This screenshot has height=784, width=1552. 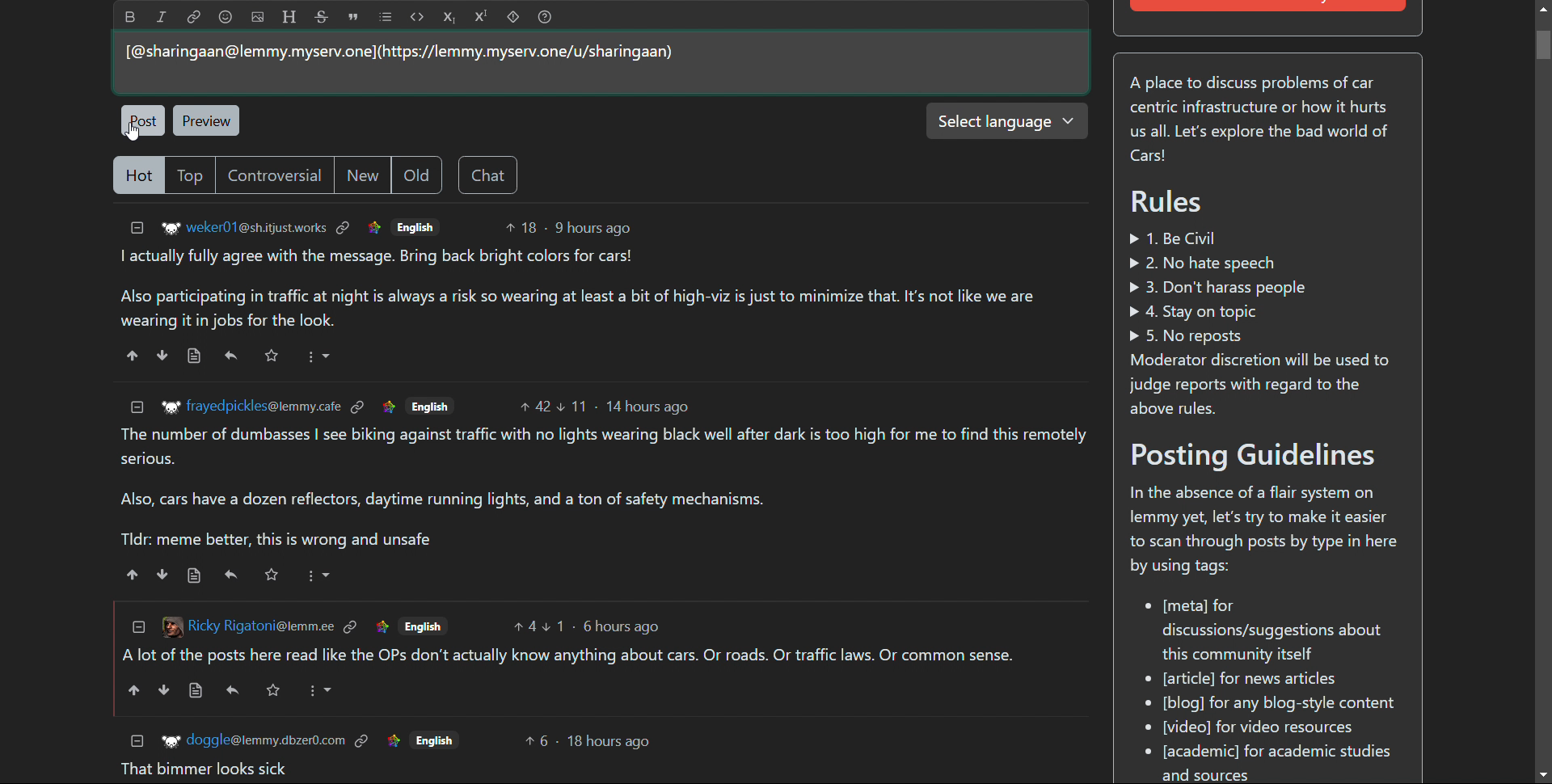 I want to click on scroll up, so click(x=1541, y=8).